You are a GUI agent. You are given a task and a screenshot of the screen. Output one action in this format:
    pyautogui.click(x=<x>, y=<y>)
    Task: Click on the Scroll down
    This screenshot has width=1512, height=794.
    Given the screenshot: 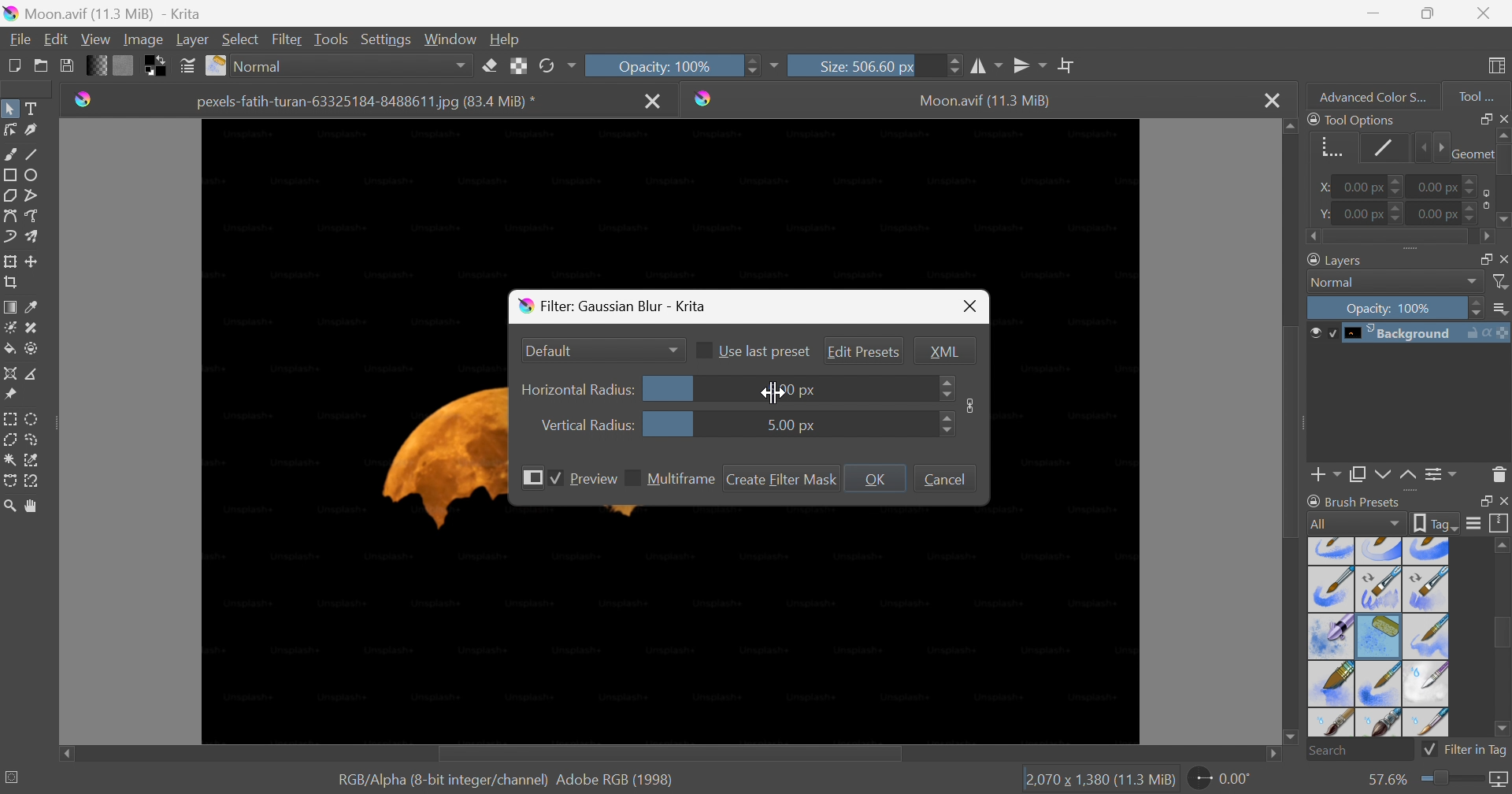 What is the action you would take?
    pyautogui.click(x=1289, y=740)
    